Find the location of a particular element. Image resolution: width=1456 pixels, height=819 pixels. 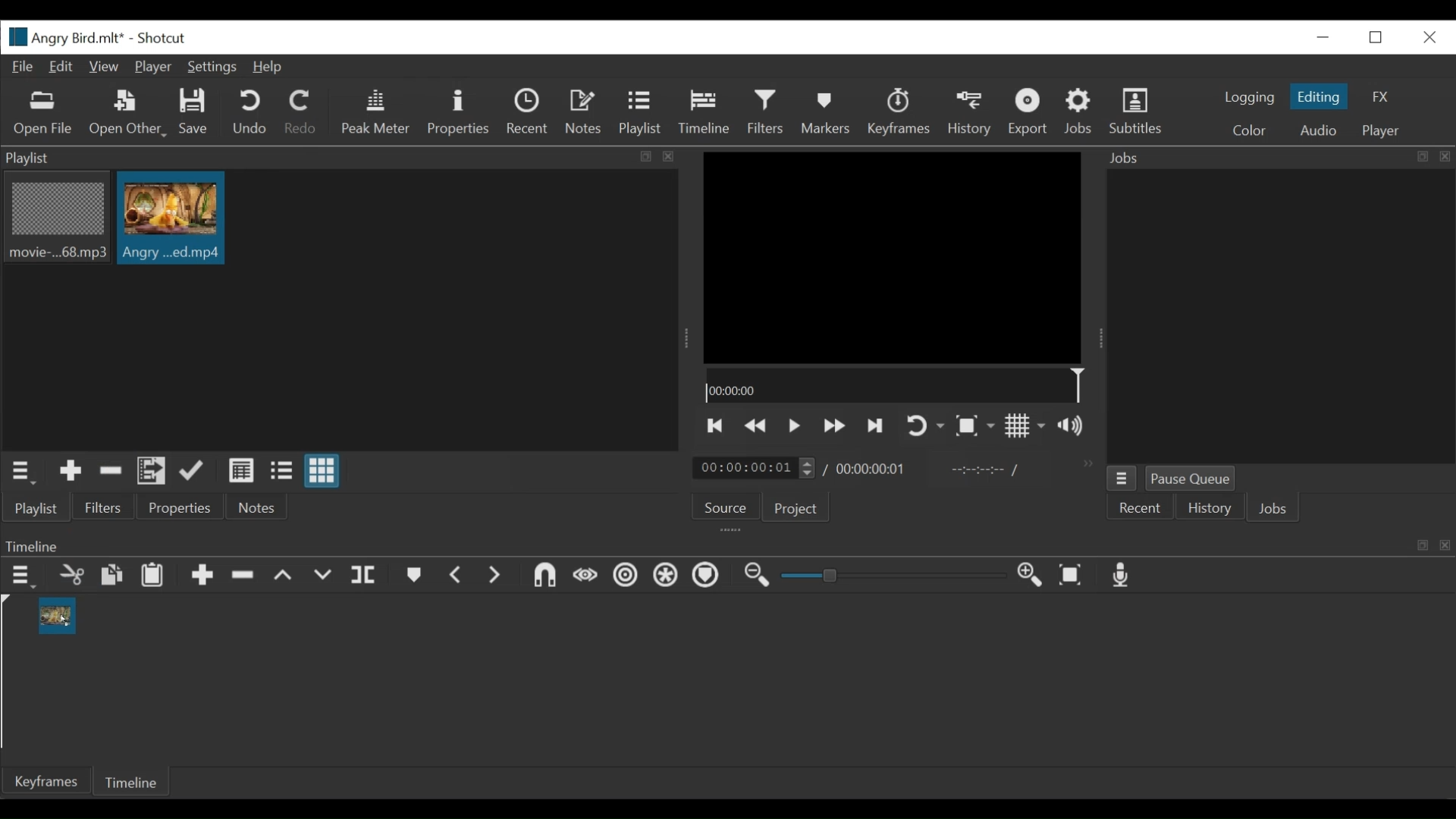

Timeline is located at coordinates (133, 780).